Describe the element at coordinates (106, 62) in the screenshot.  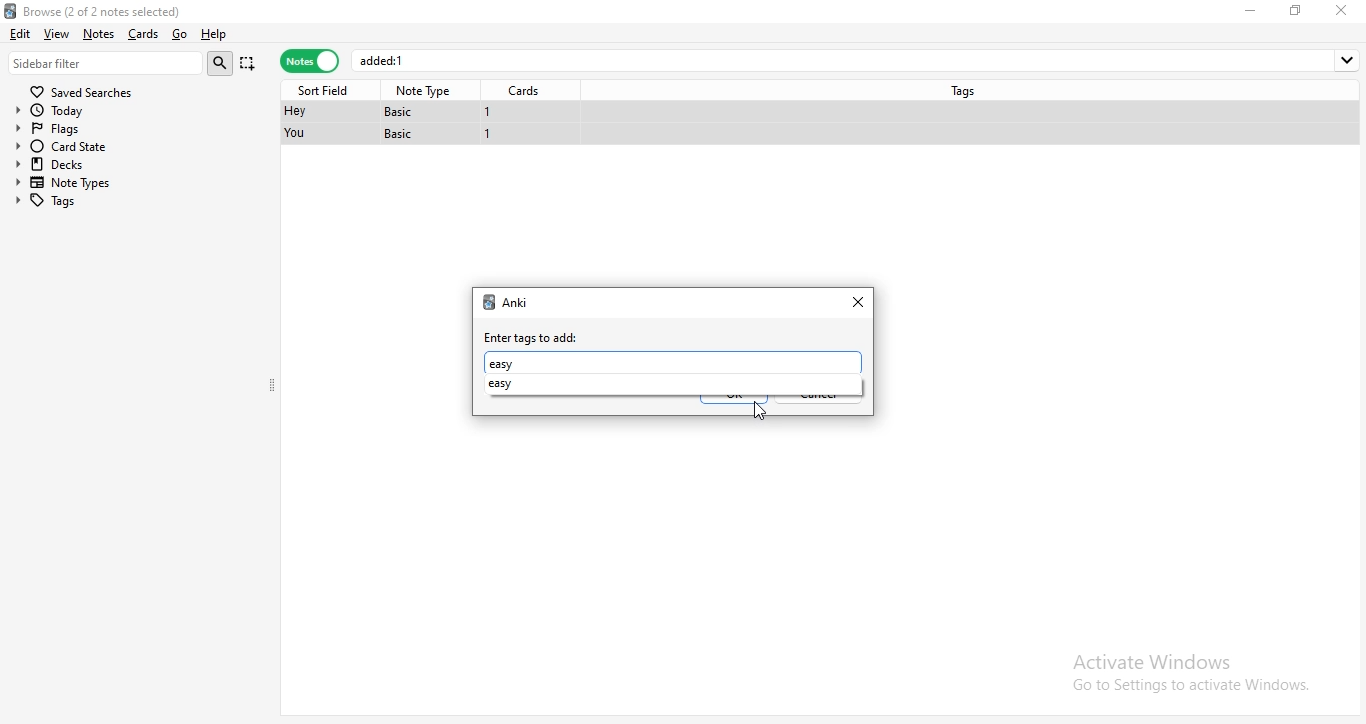
I see `sidebar filter` at that location.